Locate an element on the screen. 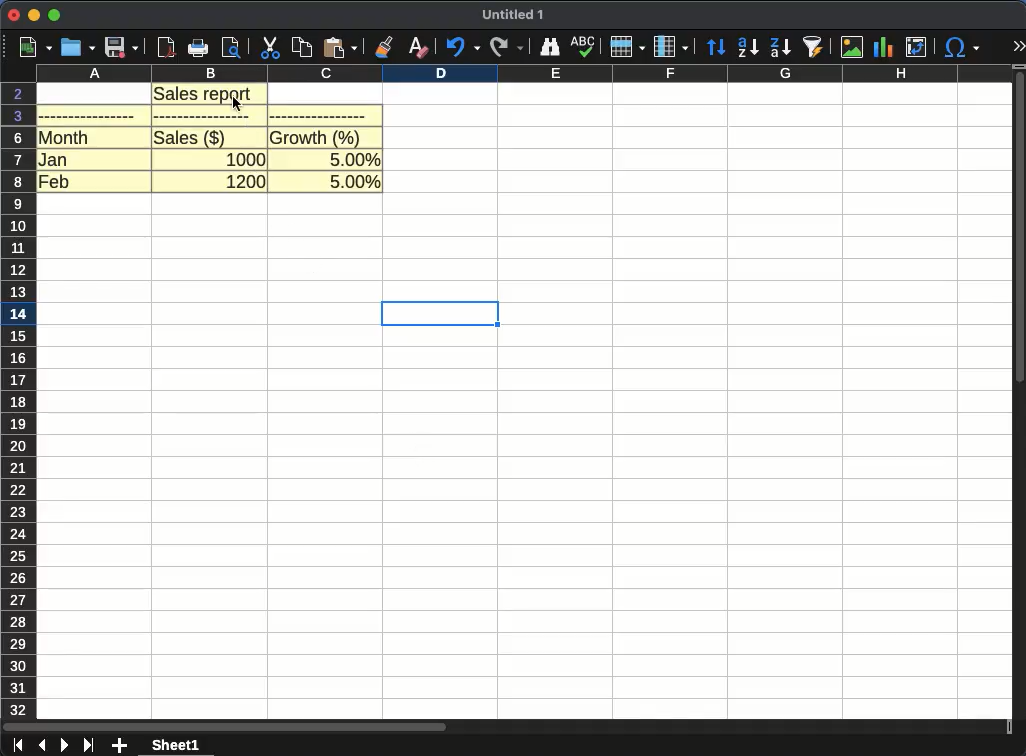  row is located at coordinates (627, 46).